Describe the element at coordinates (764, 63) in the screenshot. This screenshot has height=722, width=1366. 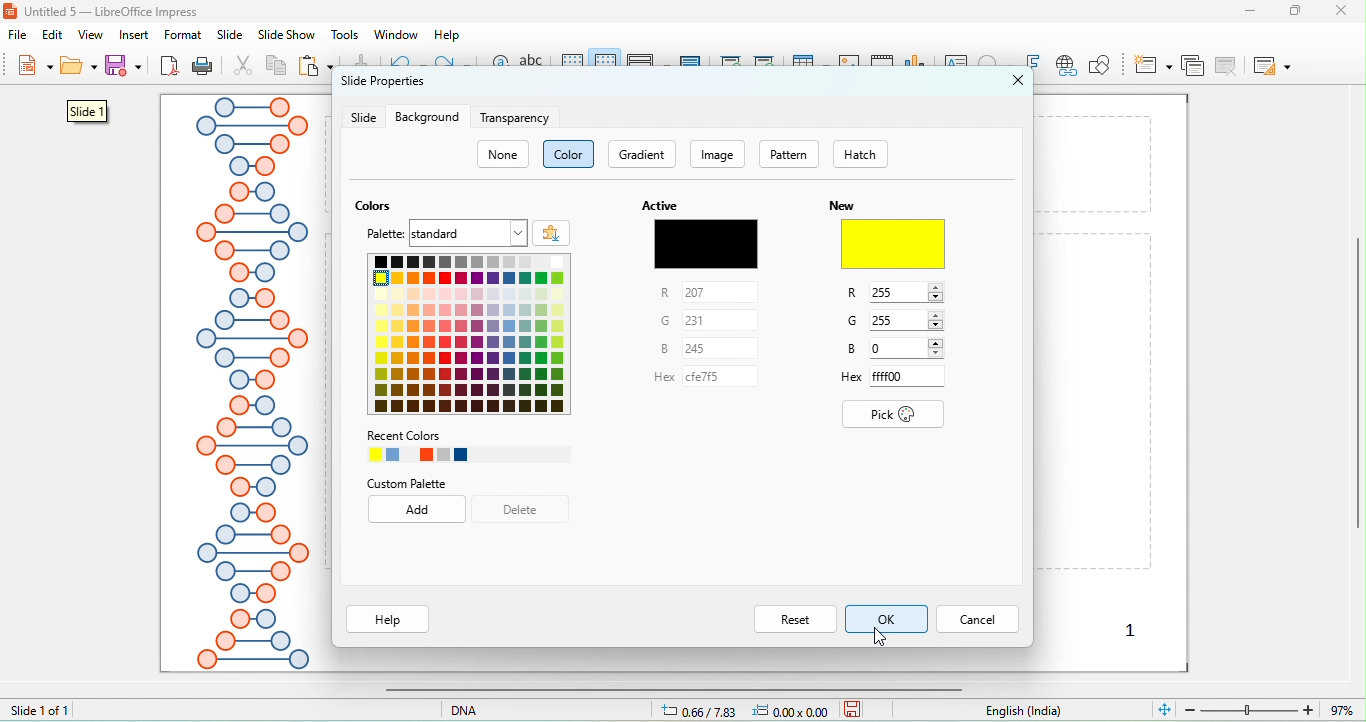
I see `start from current` at that location.